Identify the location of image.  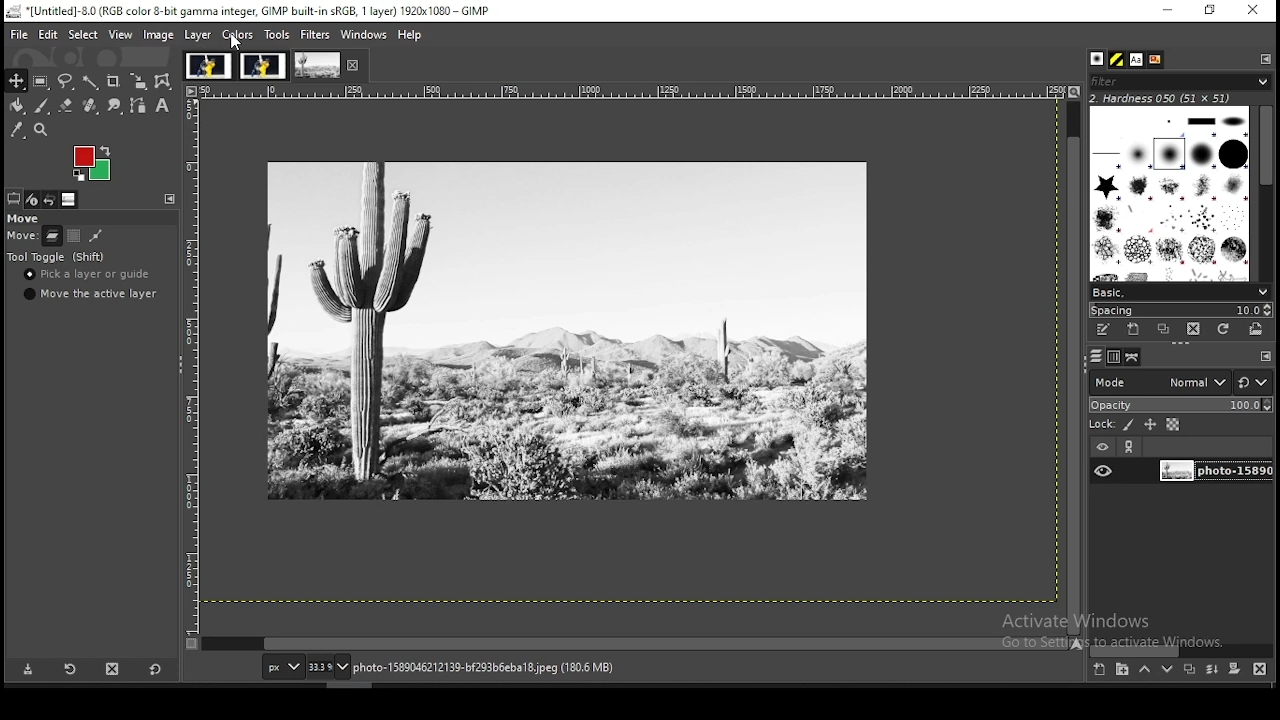
(317, 65).